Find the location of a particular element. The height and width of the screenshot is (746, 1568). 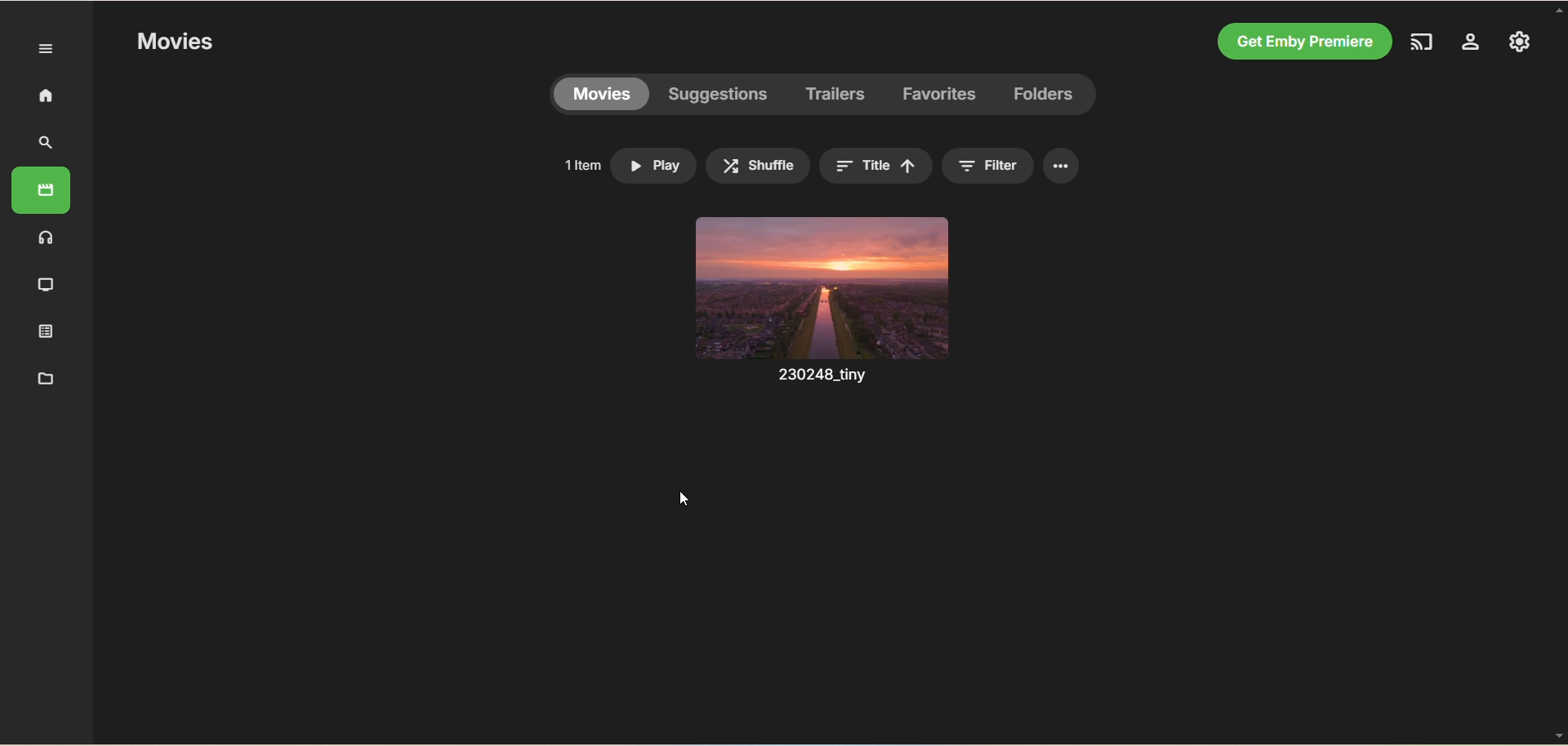

vertical scroll bar is located at coordinates (1558, 371).